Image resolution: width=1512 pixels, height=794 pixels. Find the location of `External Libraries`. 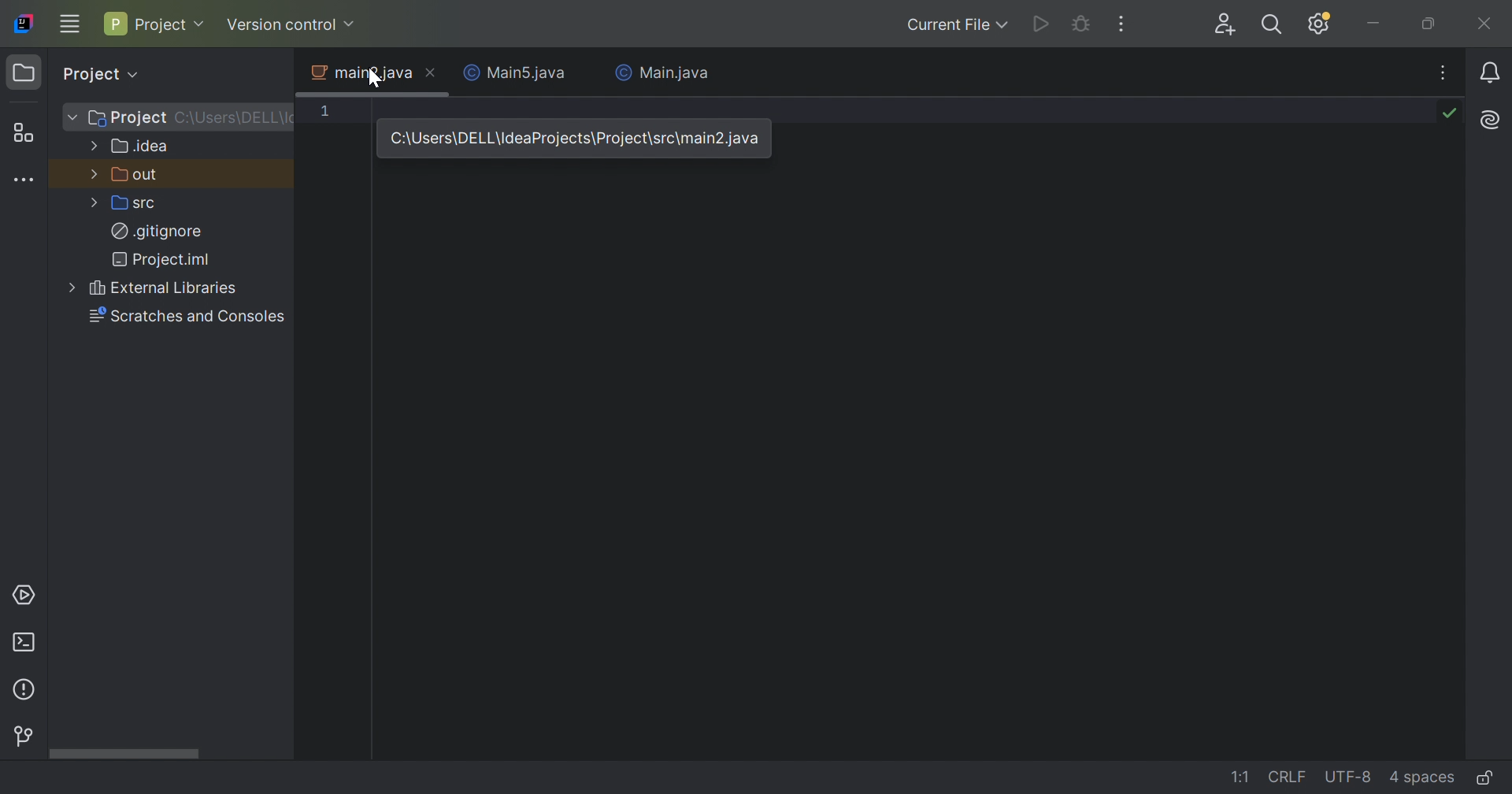

External Libraries is located at coordinates (165, 288).